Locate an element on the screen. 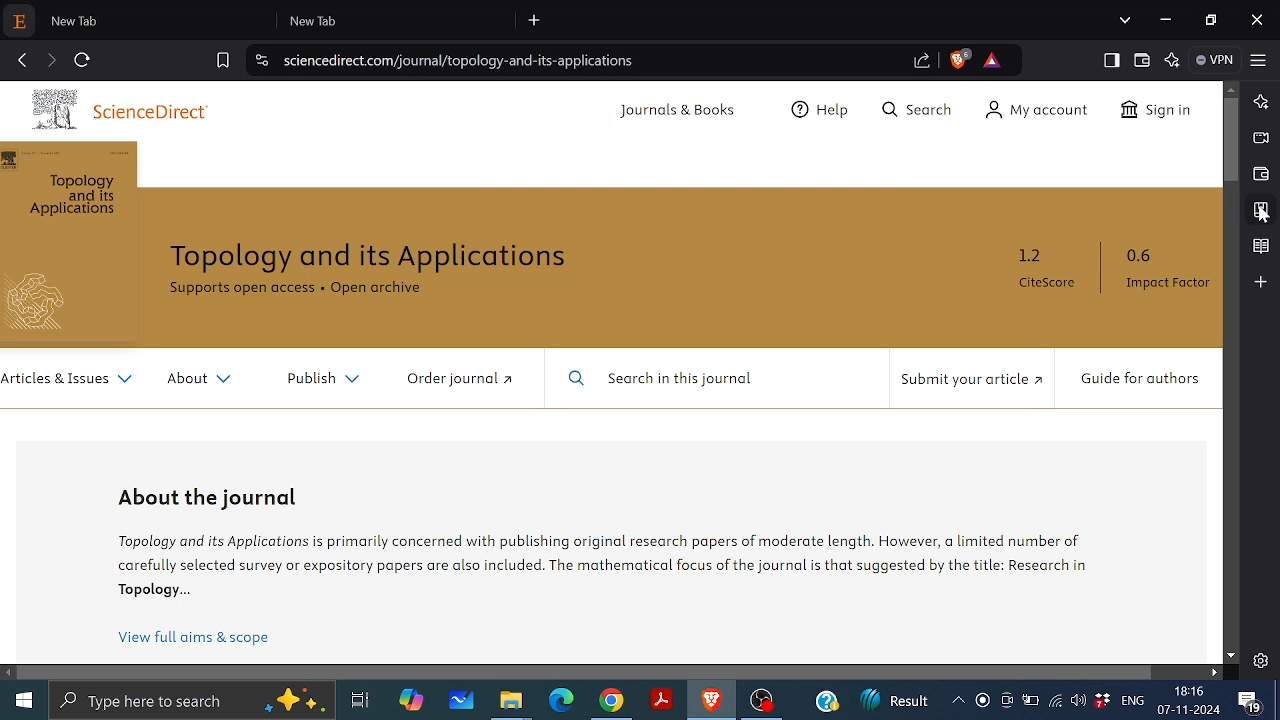 The image size is (1280, 720). VPN is located at coordinates (1216, 60).